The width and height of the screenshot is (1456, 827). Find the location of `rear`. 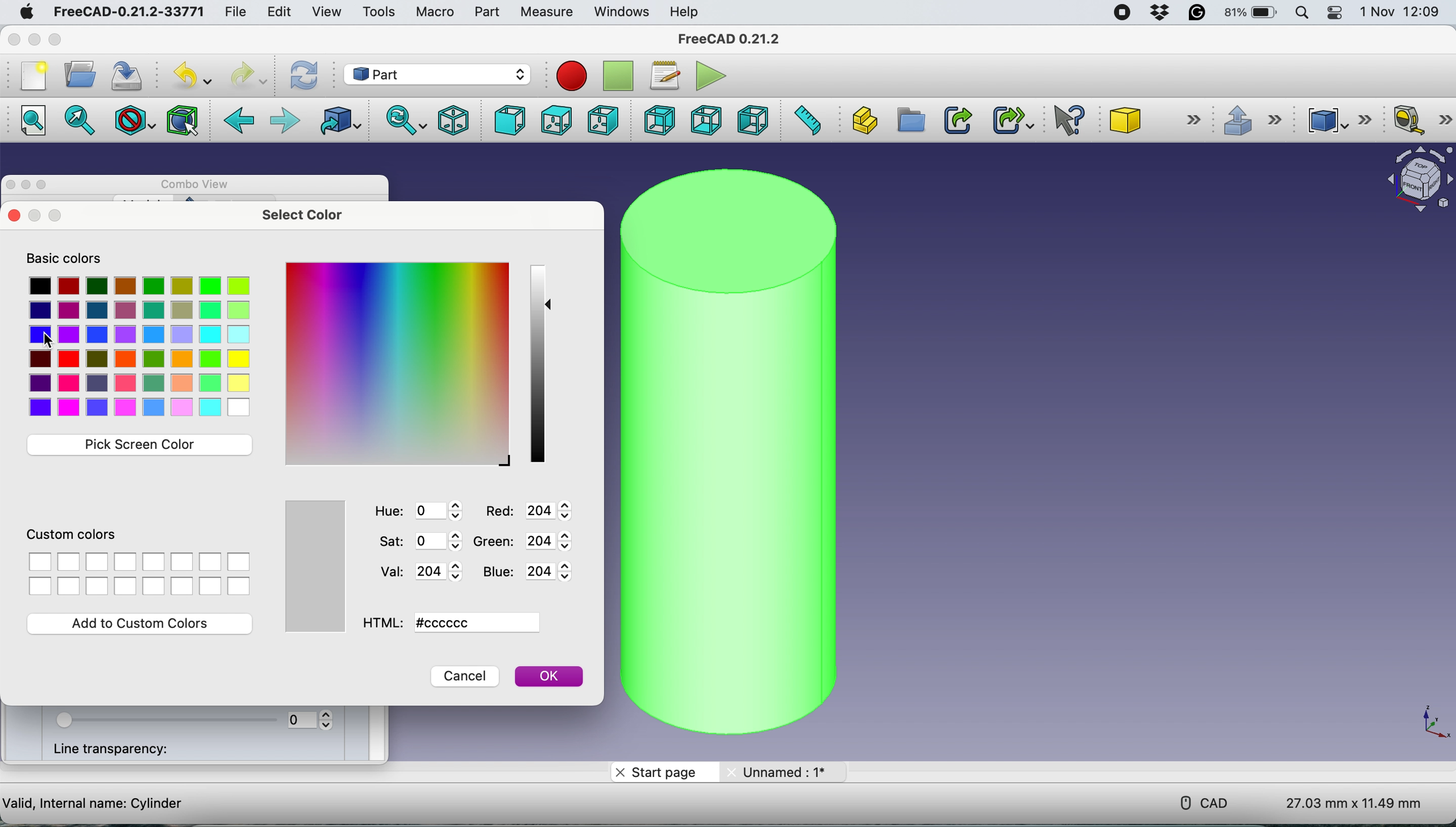

rear is located at coordinates (656, 122).